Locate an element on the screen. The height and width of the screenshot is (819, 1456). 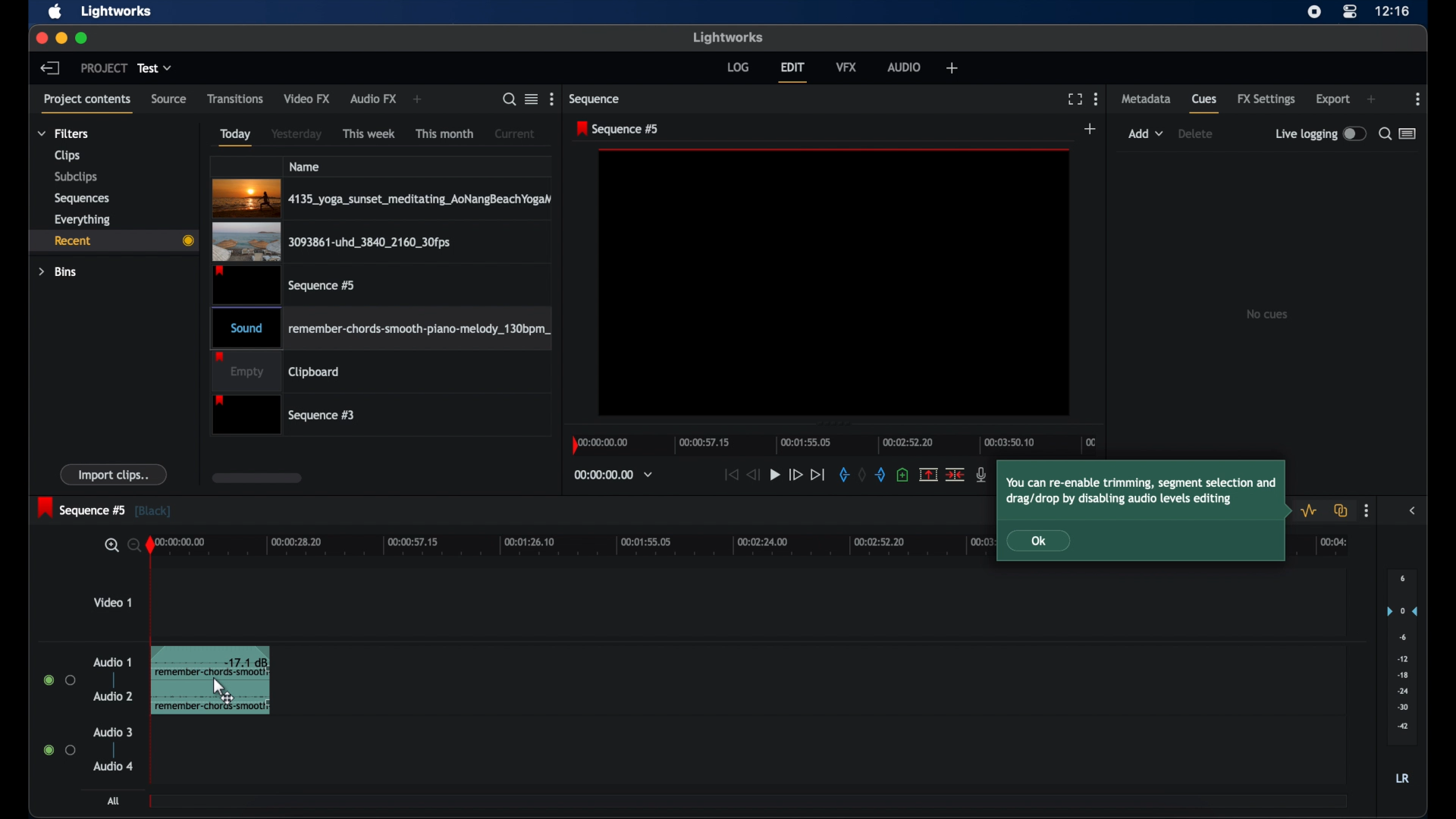
mic is located at coordinates (982, 475).